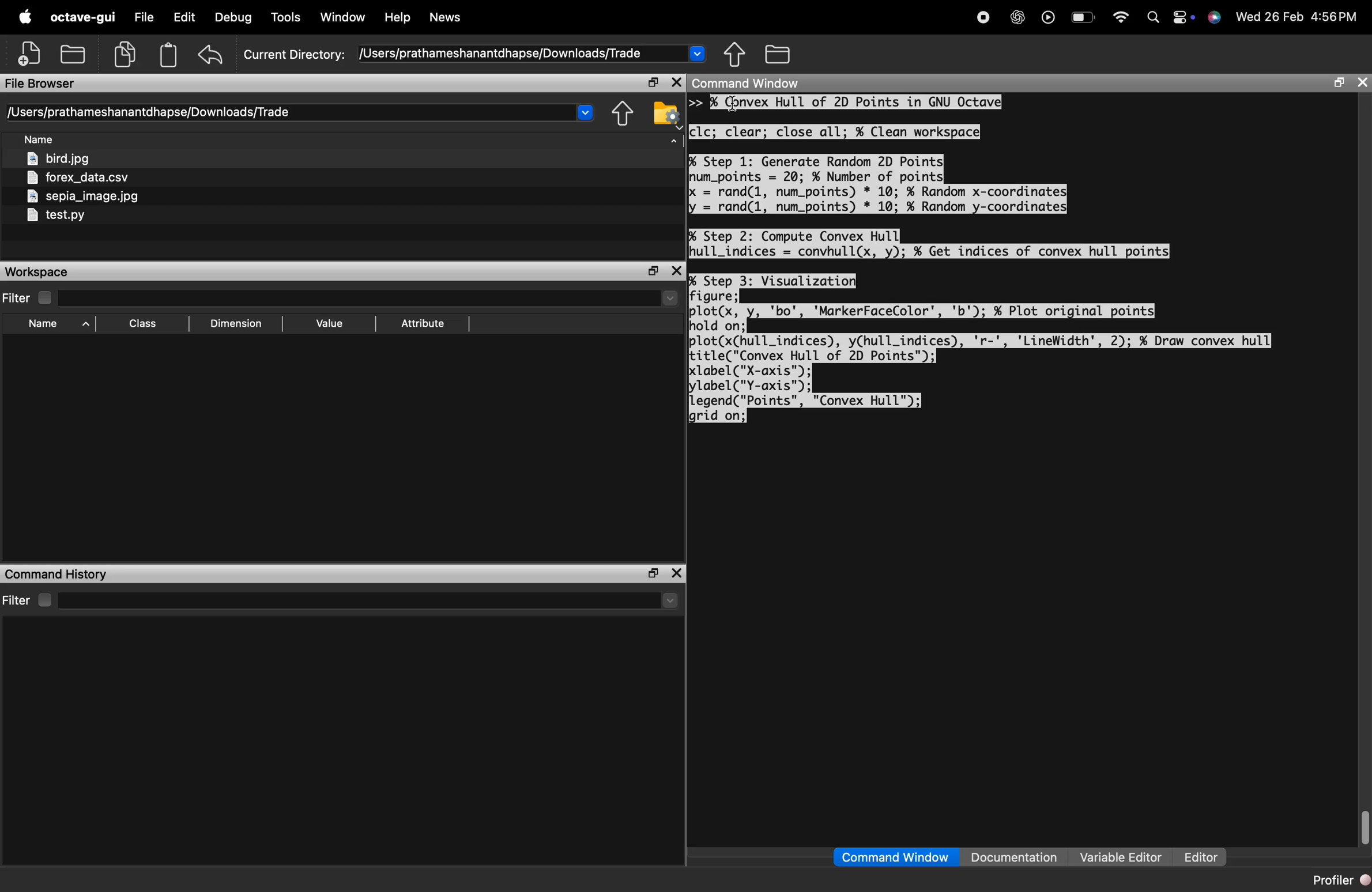 Image resolution: width=1372 pixels, height=892 pixels. Describe the element at coordinates (652, 82) in the screenshot. I see `separate the window` at that location.